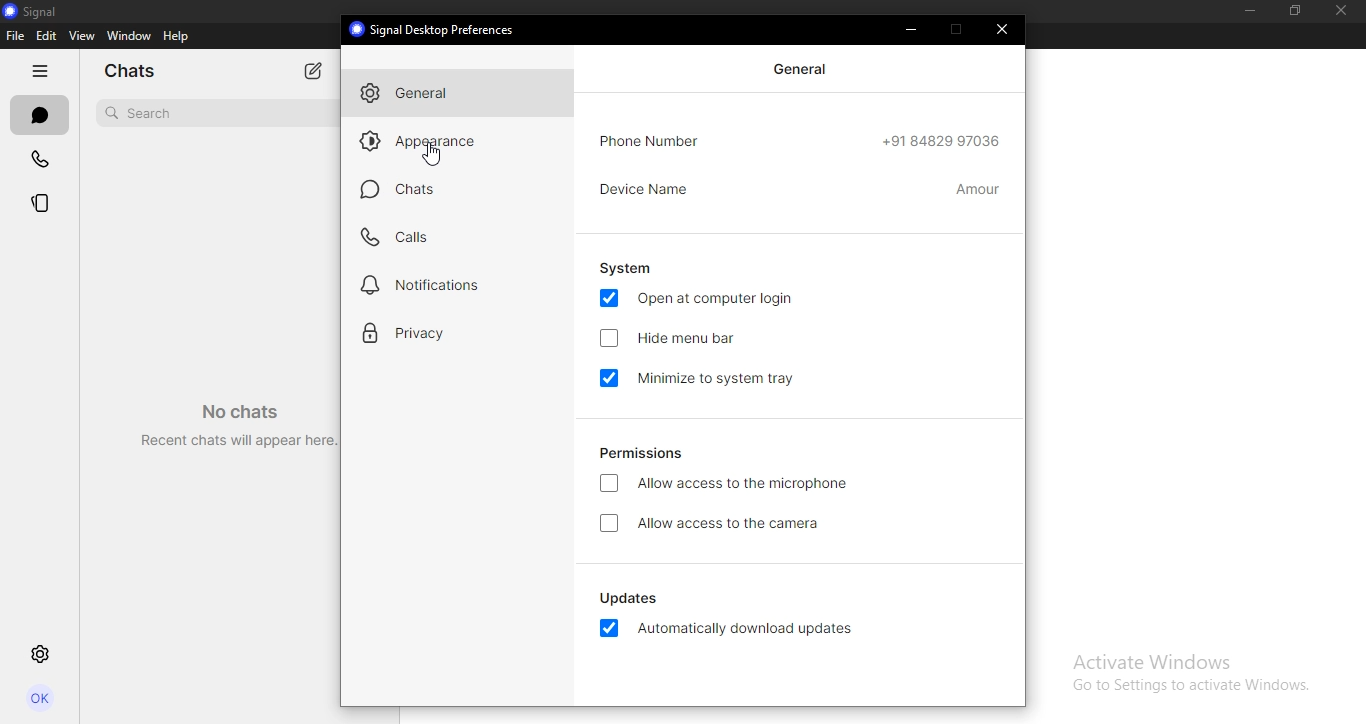 The width and height of the screenshot is (1366, 724). What do you see at coordinates (711, 524) in the screenshot?
I see `allow access to the camera` at bounding box center [711, 524].